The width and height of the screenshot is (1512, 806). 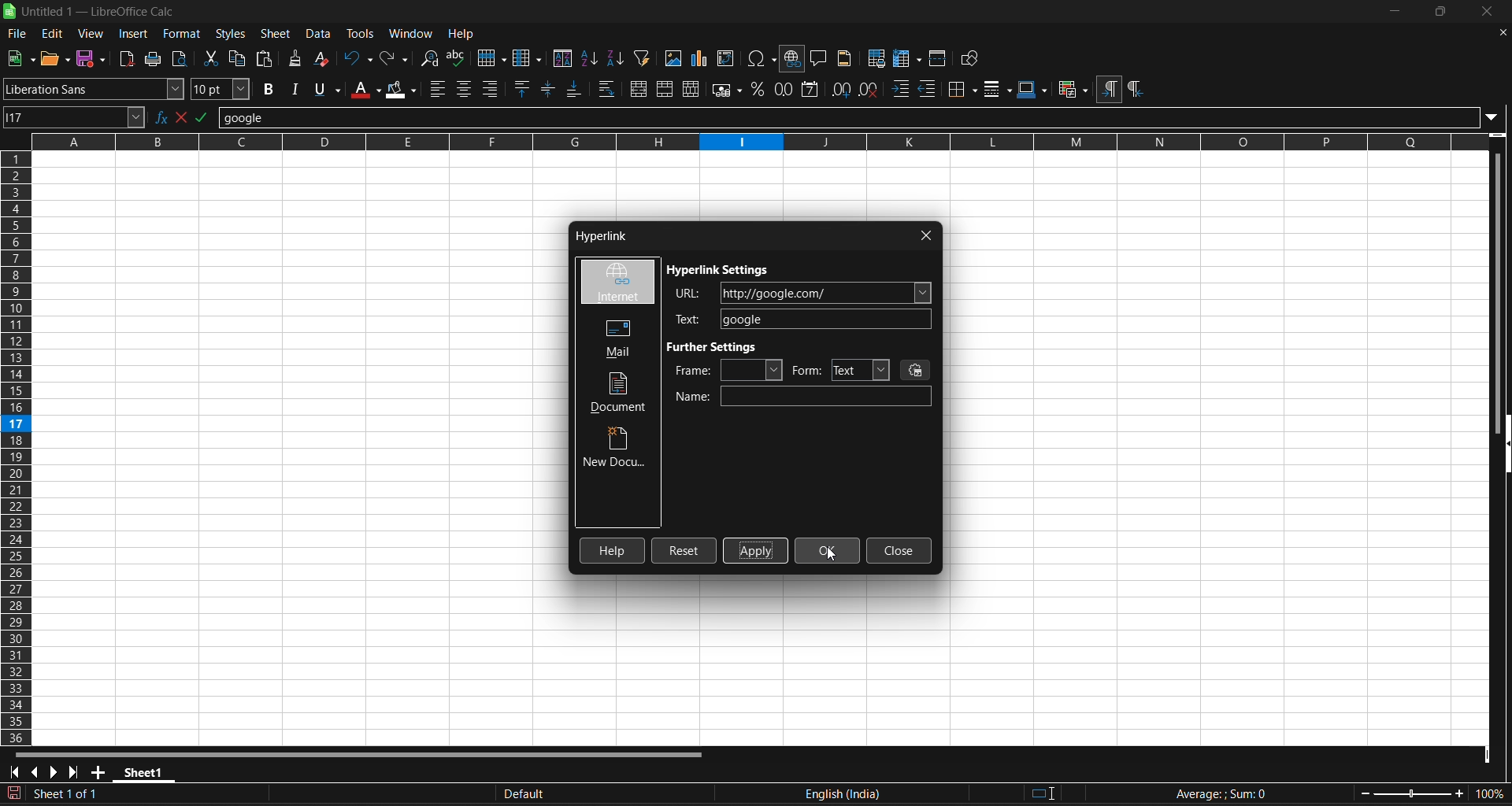 I want to click on freeze row and column, so click(x=907, y=57).